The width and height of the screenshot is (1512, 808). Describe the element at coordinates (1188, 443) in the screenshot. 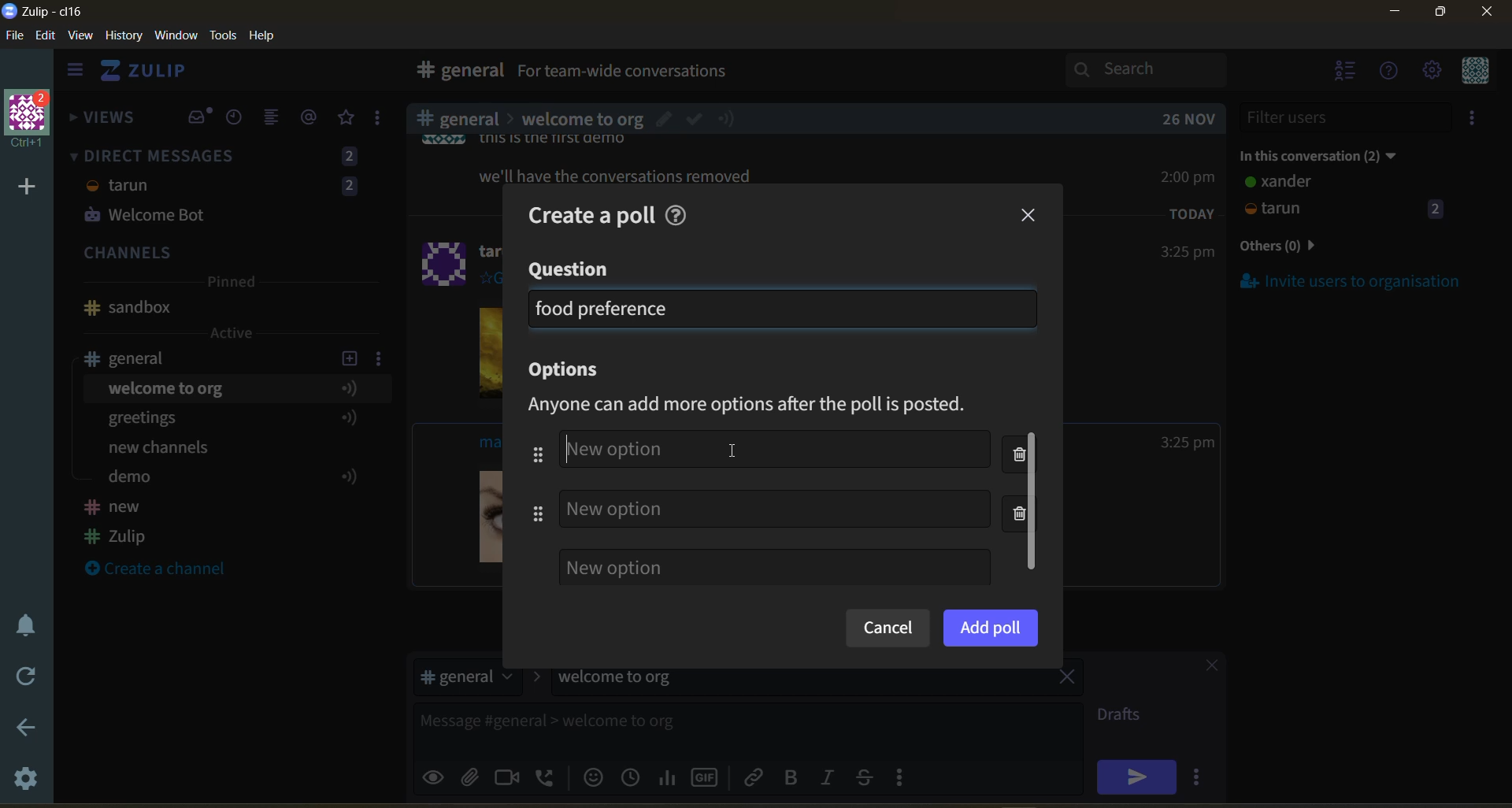

I see `3:25 pm` at that location.